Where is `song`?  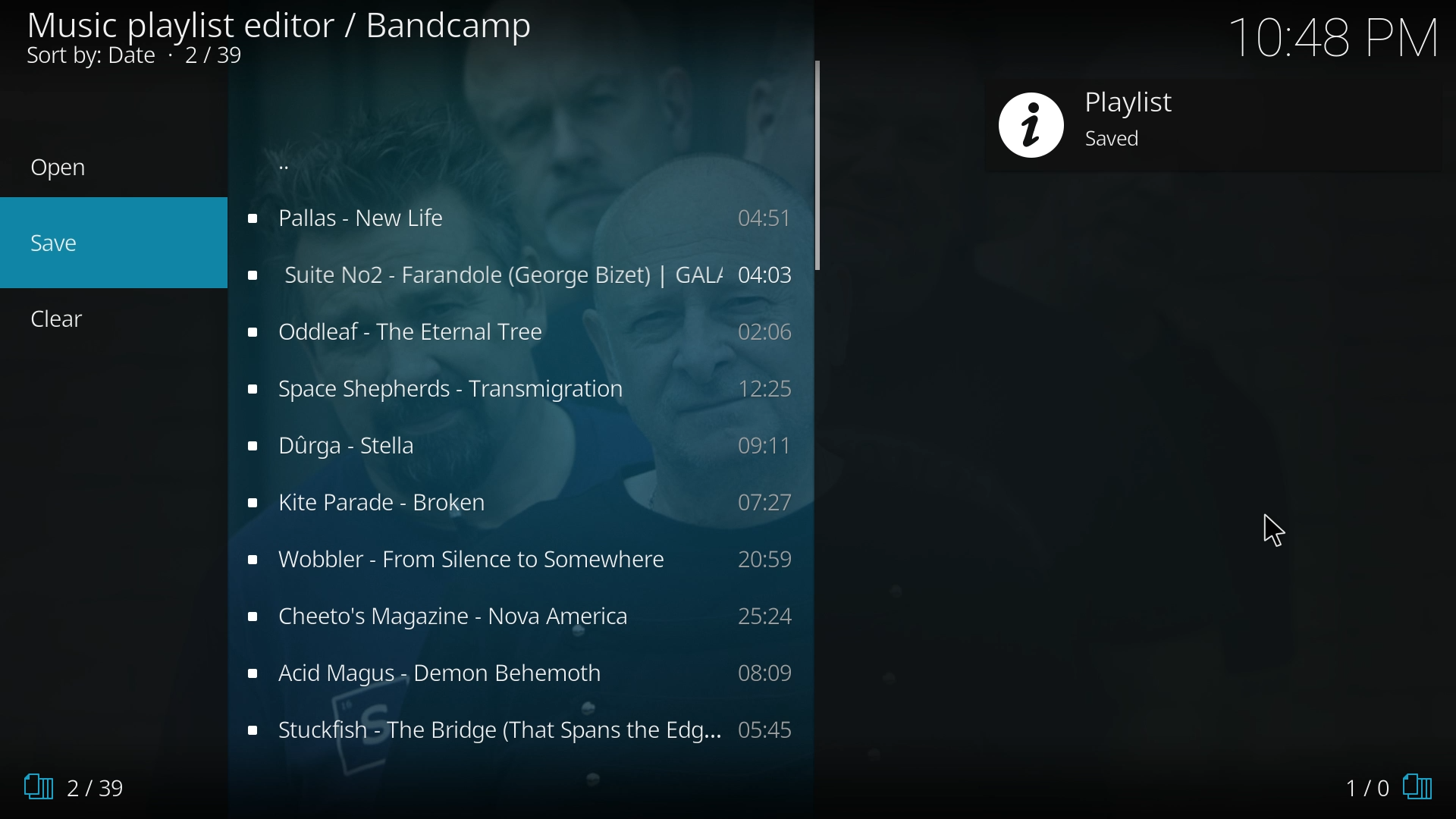 song is located at coordinates (516, 218).